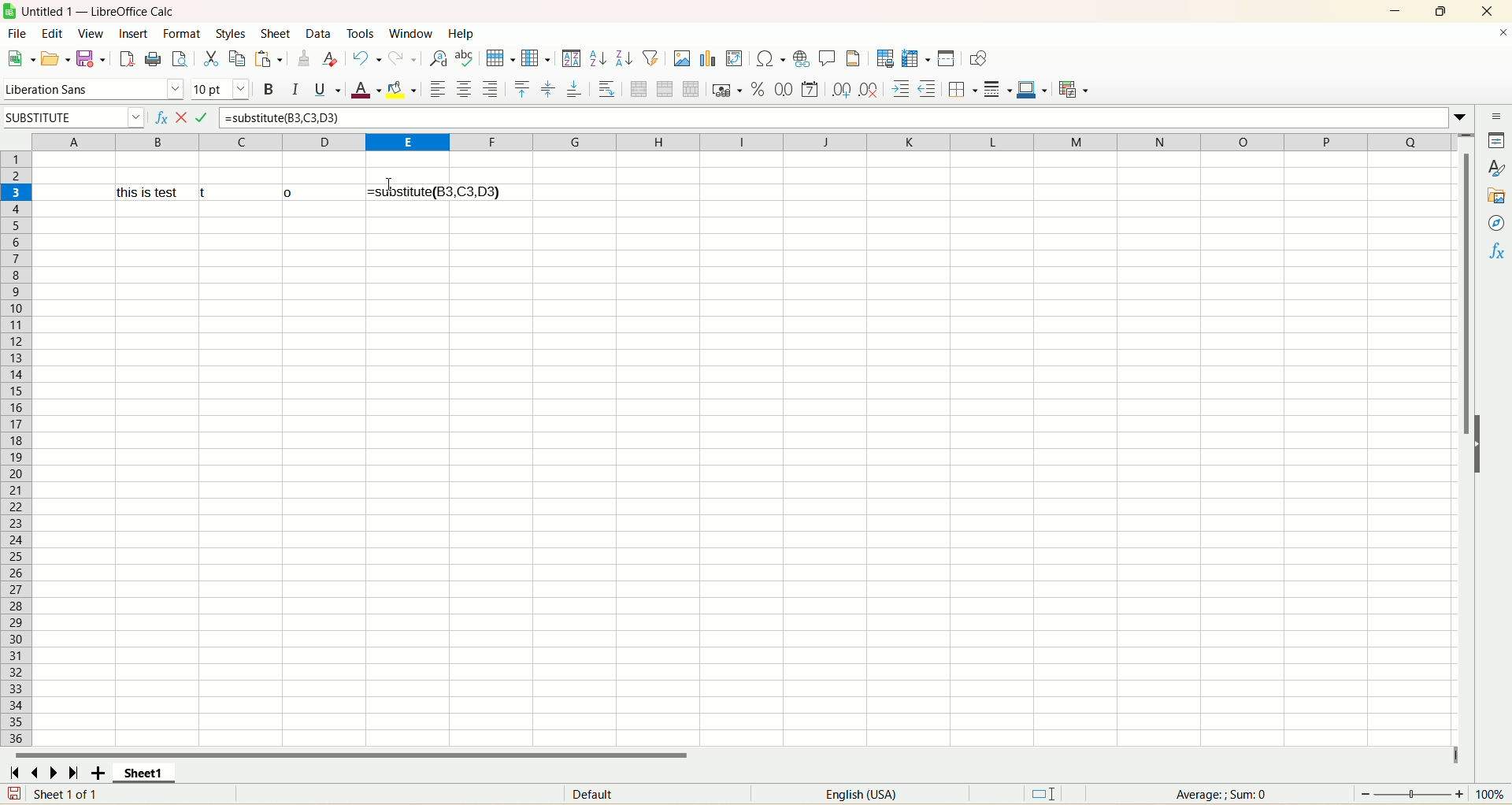 Image resolution: width=1512 pixels, height=805 pixels. Describe the element at coordinates (825, 58) in the screenshot. I see `insert comment` at that location.